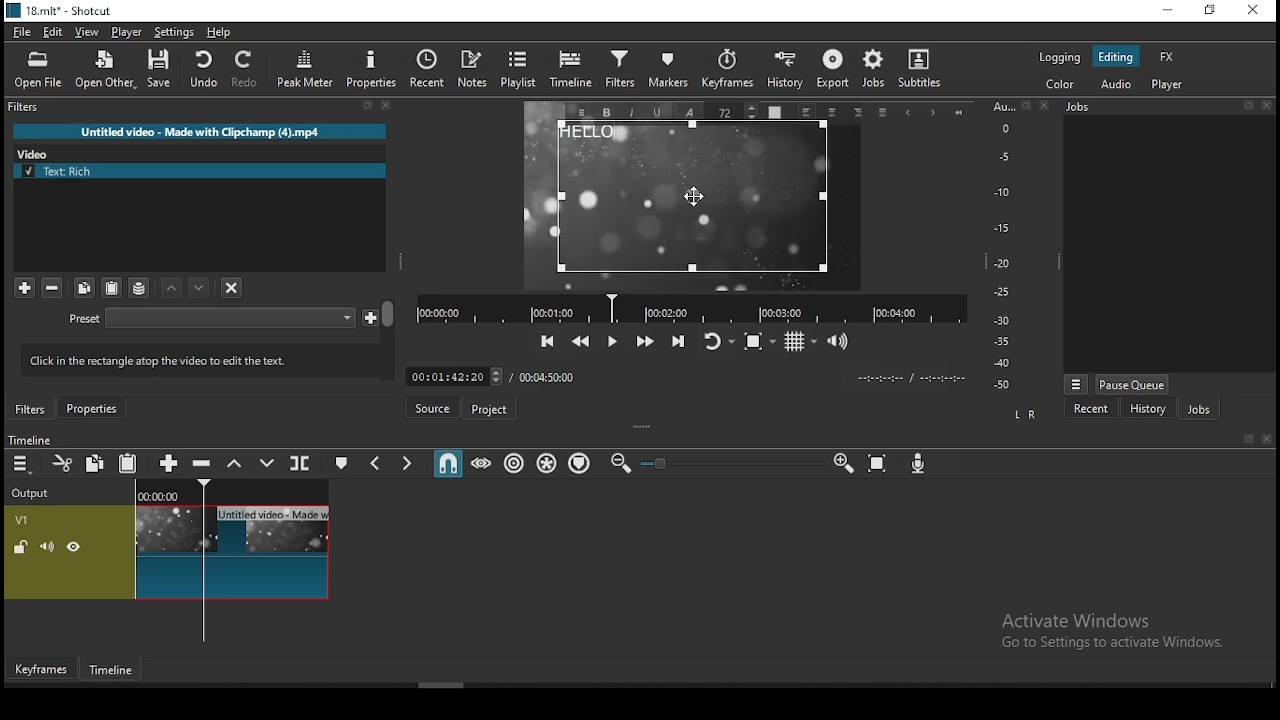 The image size is (1280, 720). I want to click on jobs, so click(875, 70).